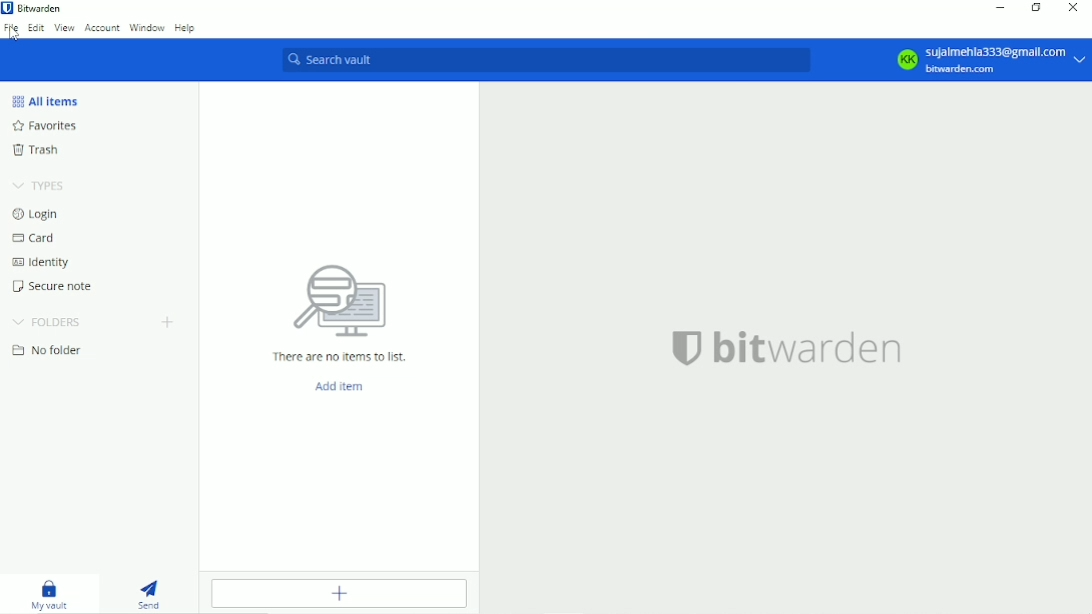  I want to click on Identity, so click(43, 263).